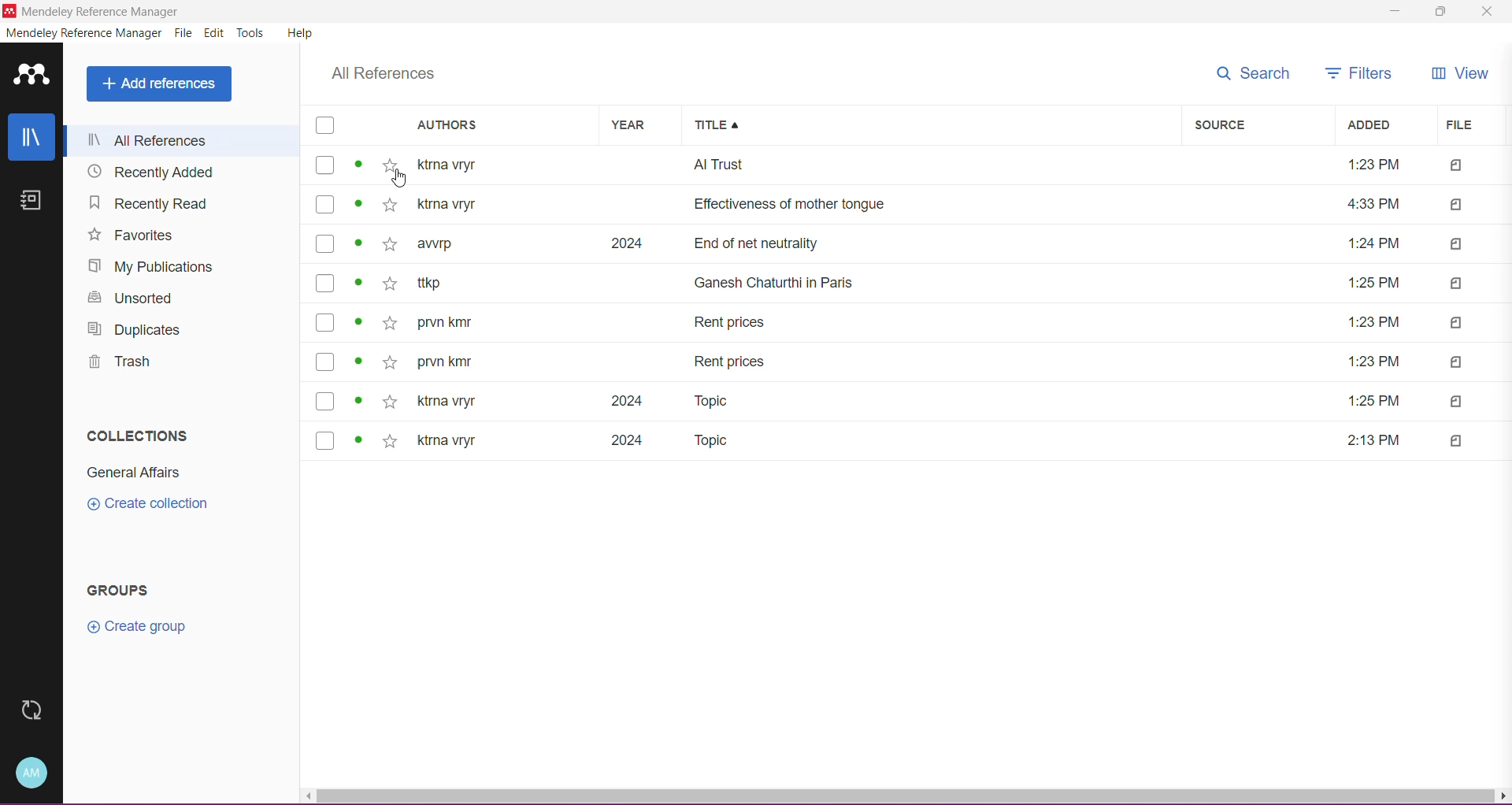 This screenshot has width=1512, height=805. Describe the element at coordinates (325, 283) in the screenshot. I see `Click to select` at that location.